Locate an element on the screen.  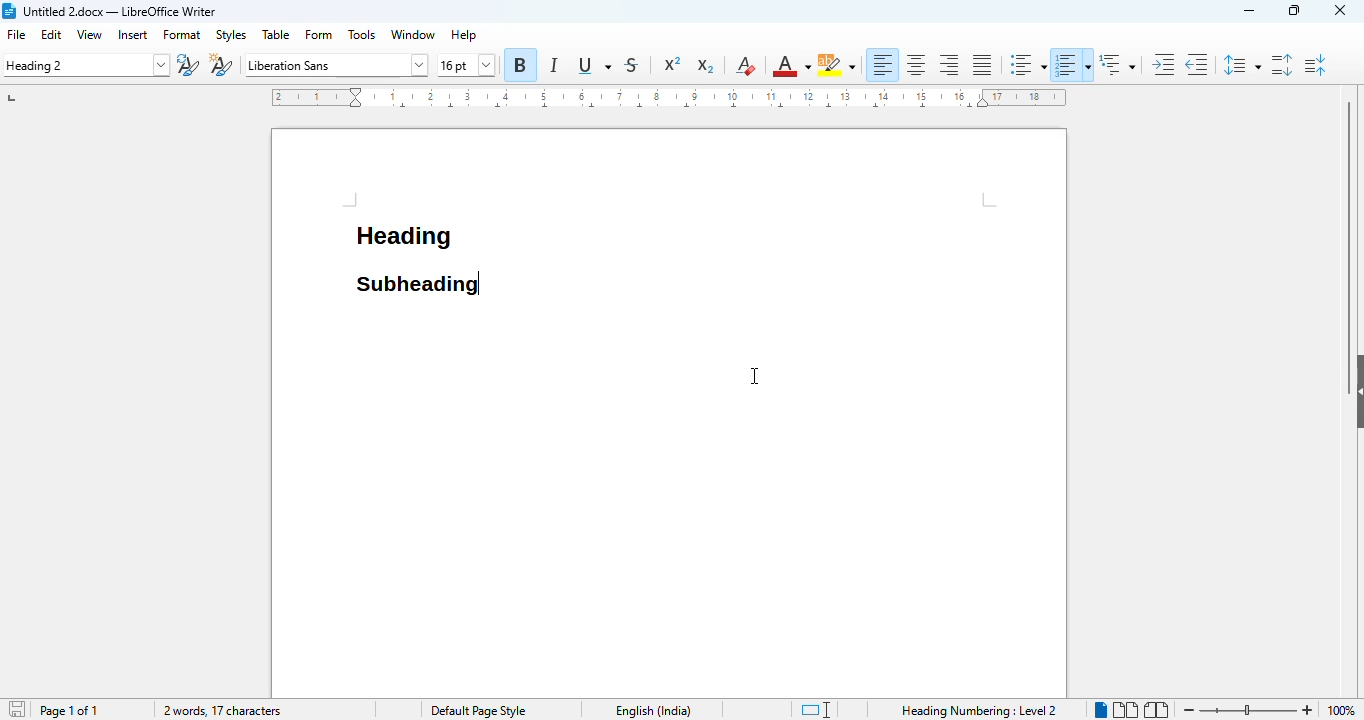
document saved as word file is located at coordinates (119, 11).